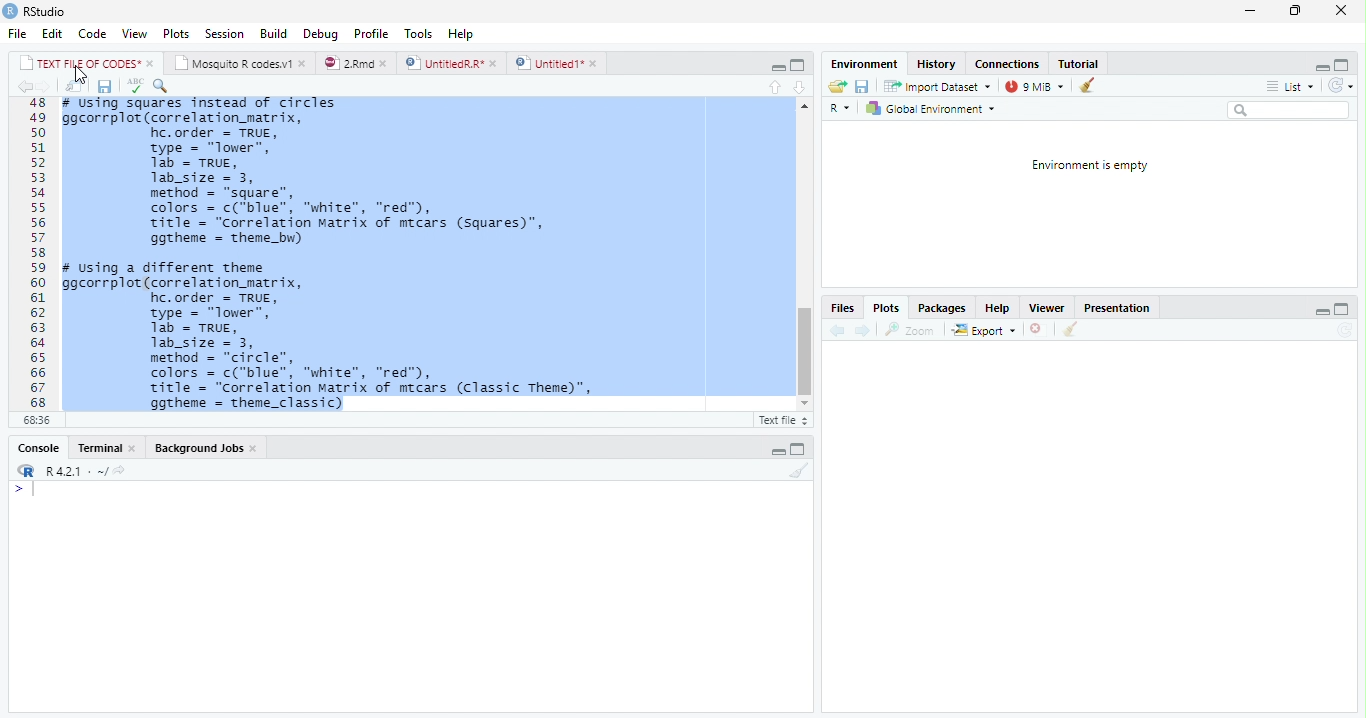 The image size is (1366, 718). Describe the element at coordinates (74, 86) in the screenshot. I see `show in new window` at that location.